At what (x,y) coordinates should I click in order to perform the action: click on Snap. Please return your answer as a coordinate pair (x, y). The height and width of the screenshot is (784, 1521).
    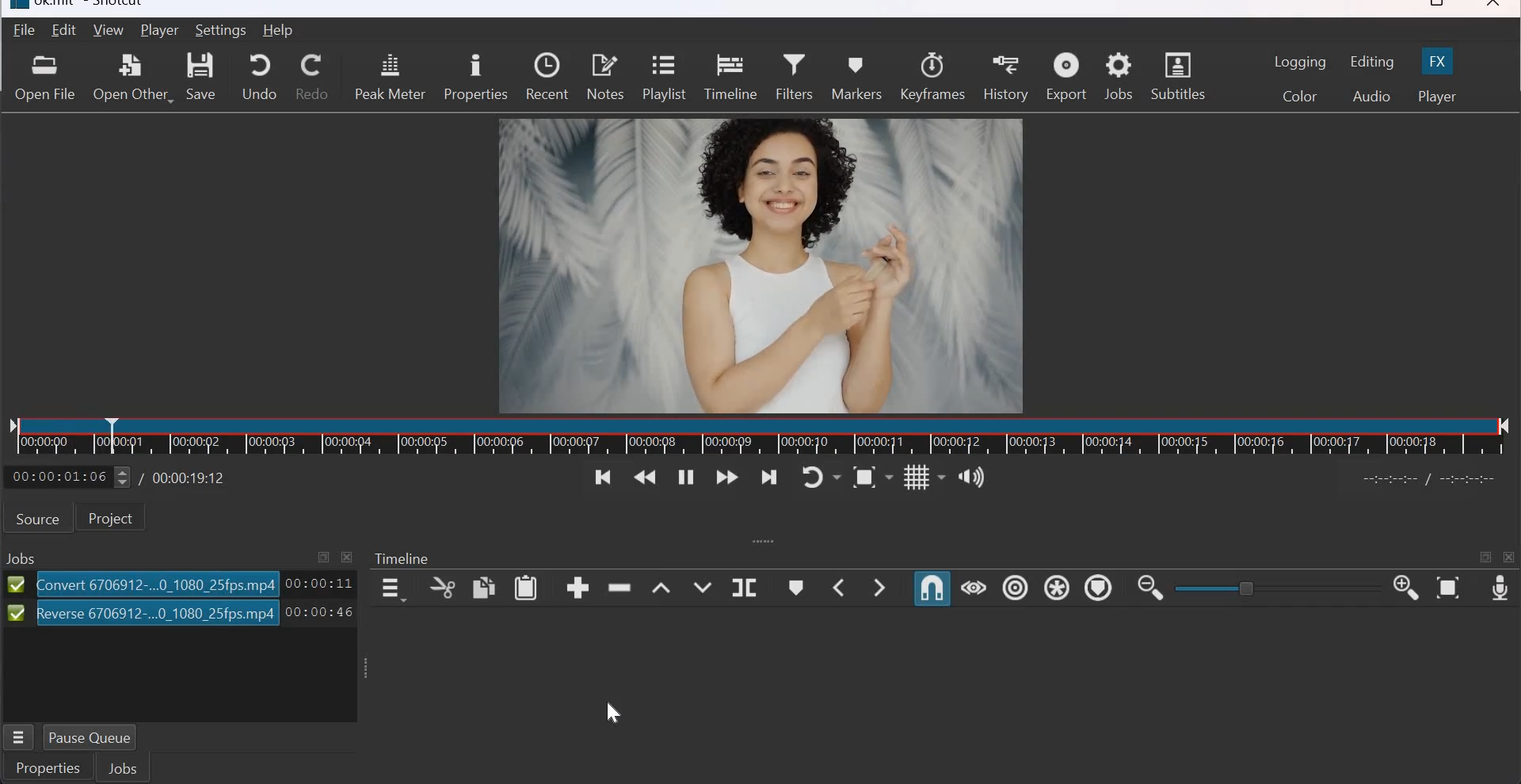
    Looking at the image, I should click on (932, 589).